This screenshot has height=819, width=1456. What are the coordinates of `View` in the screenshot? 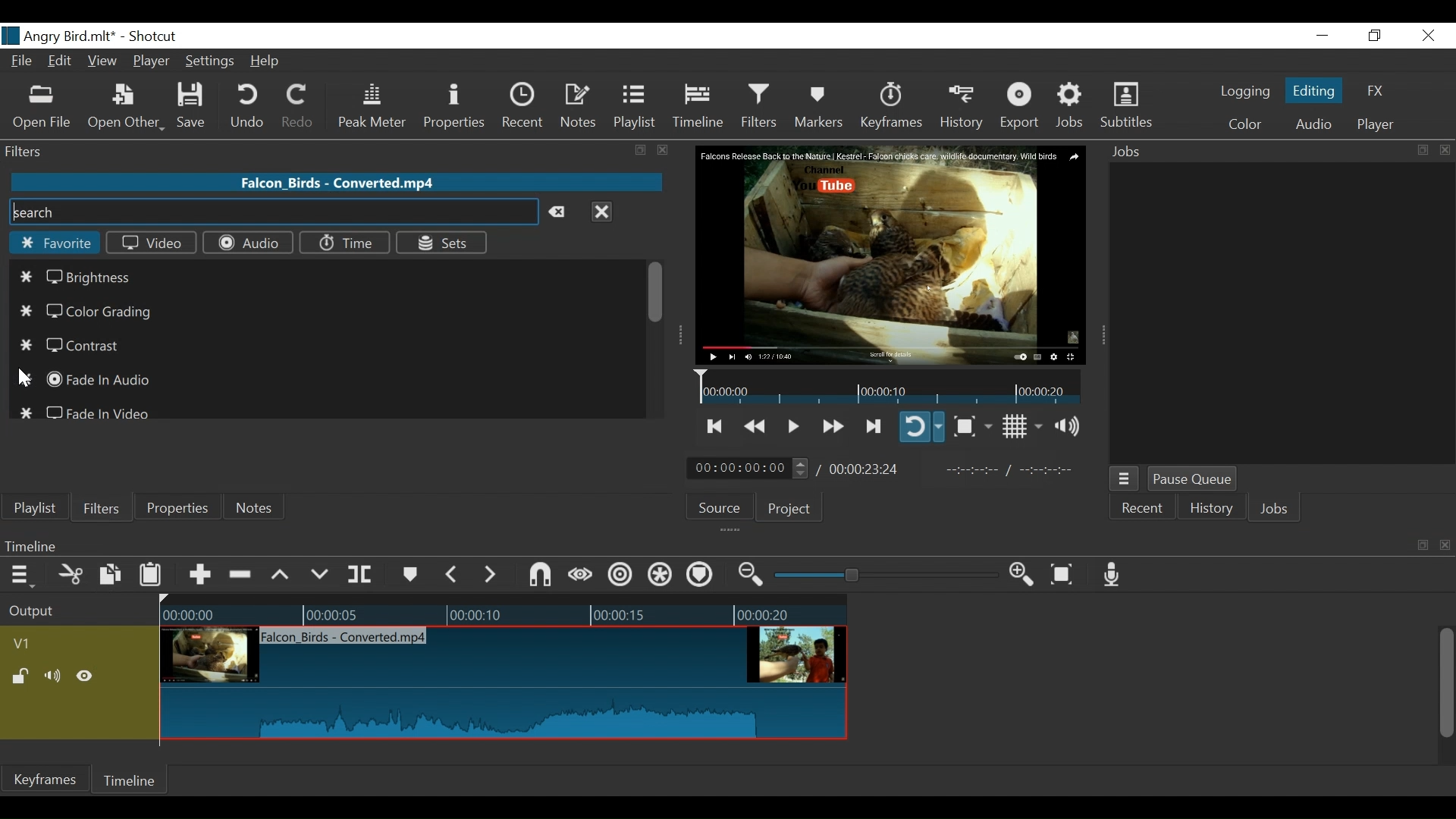 It's located at (102, 62).